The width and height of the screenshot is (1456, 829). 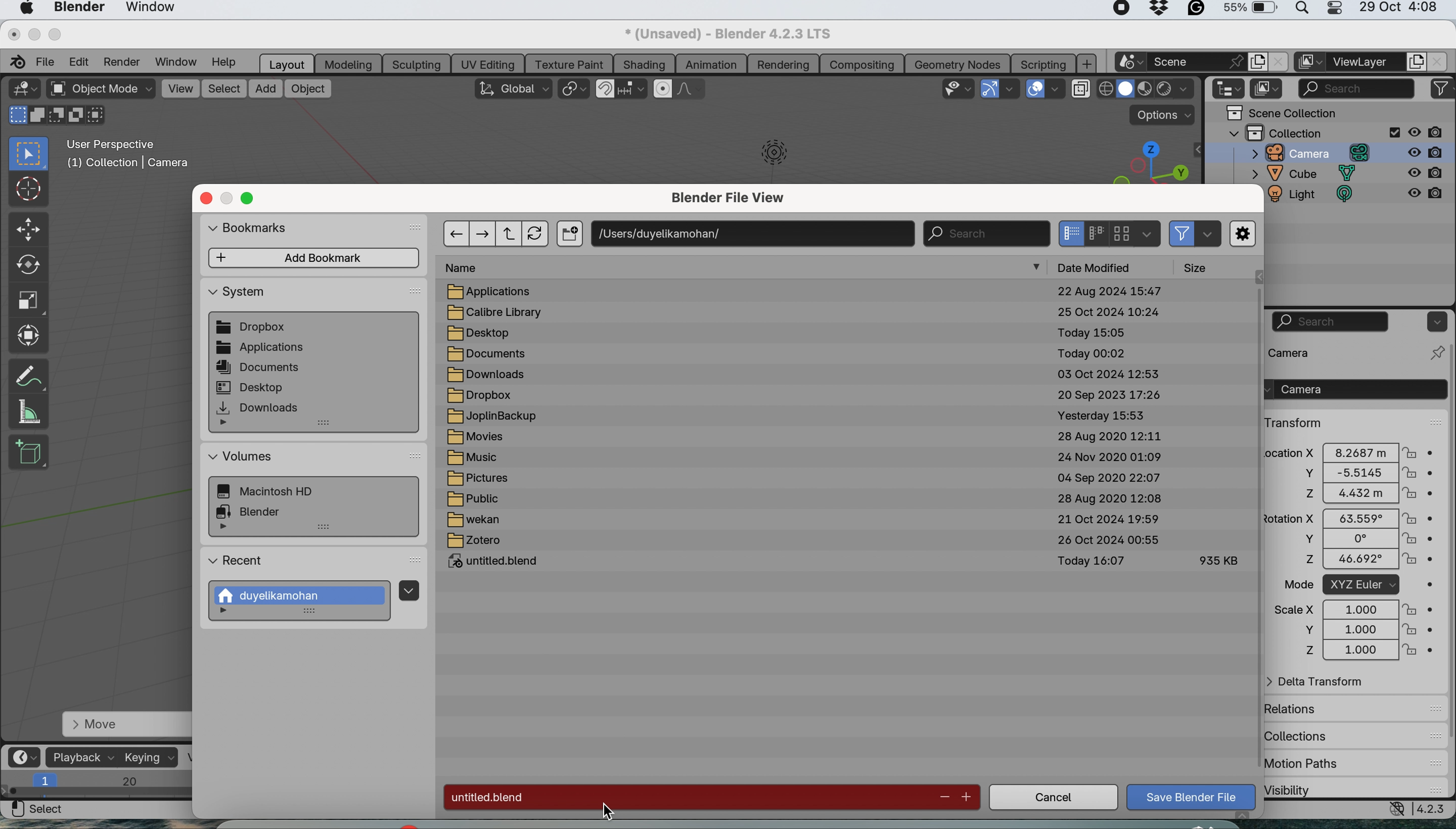 What do you see at coordinates (1347, 517) in the screenshot?
I see `rotation x 63.559` at bounding box center [1347, 517].